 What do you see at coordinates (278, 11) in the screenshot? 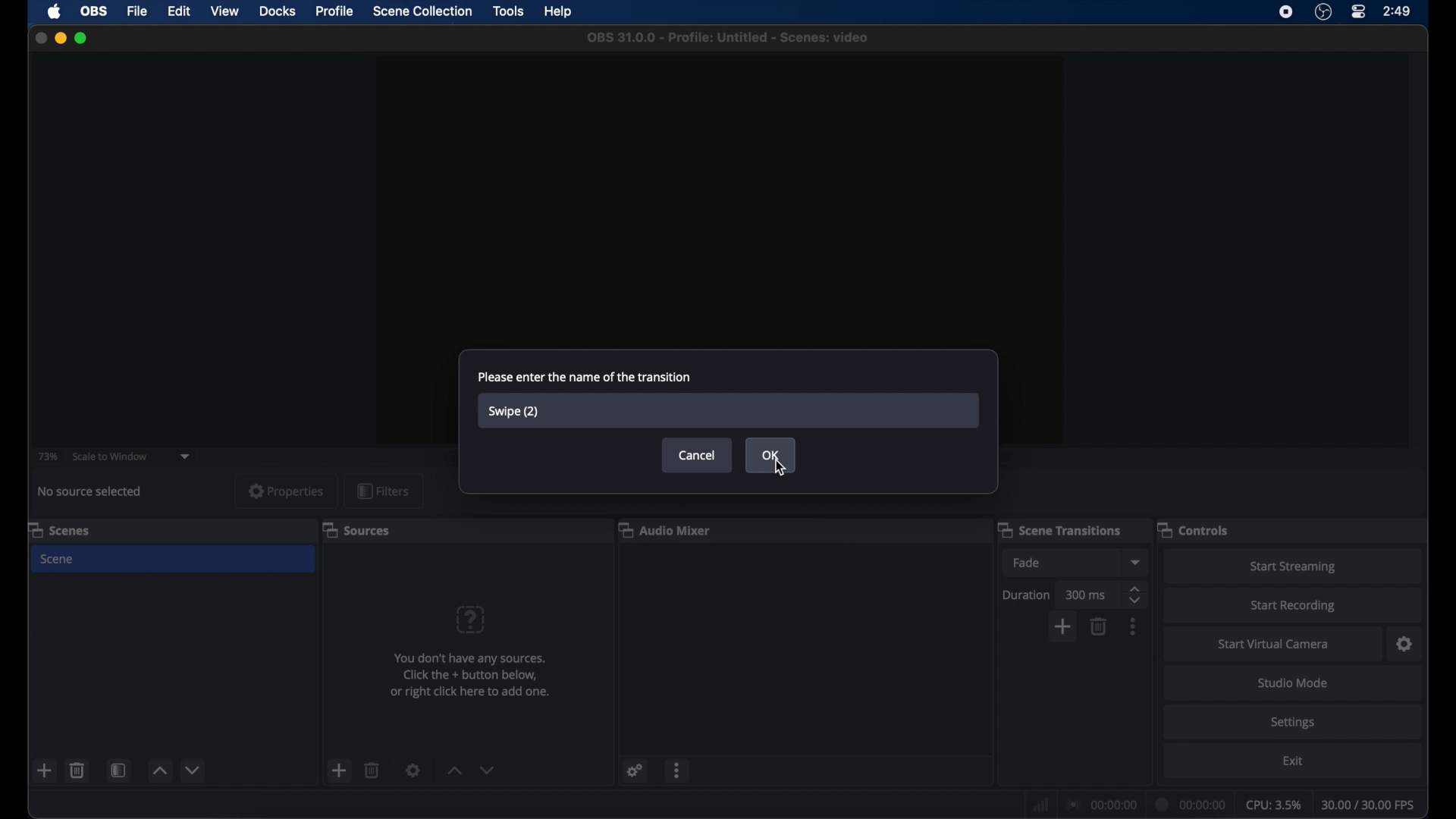
I see `docks` at bounding box center [278, 11].